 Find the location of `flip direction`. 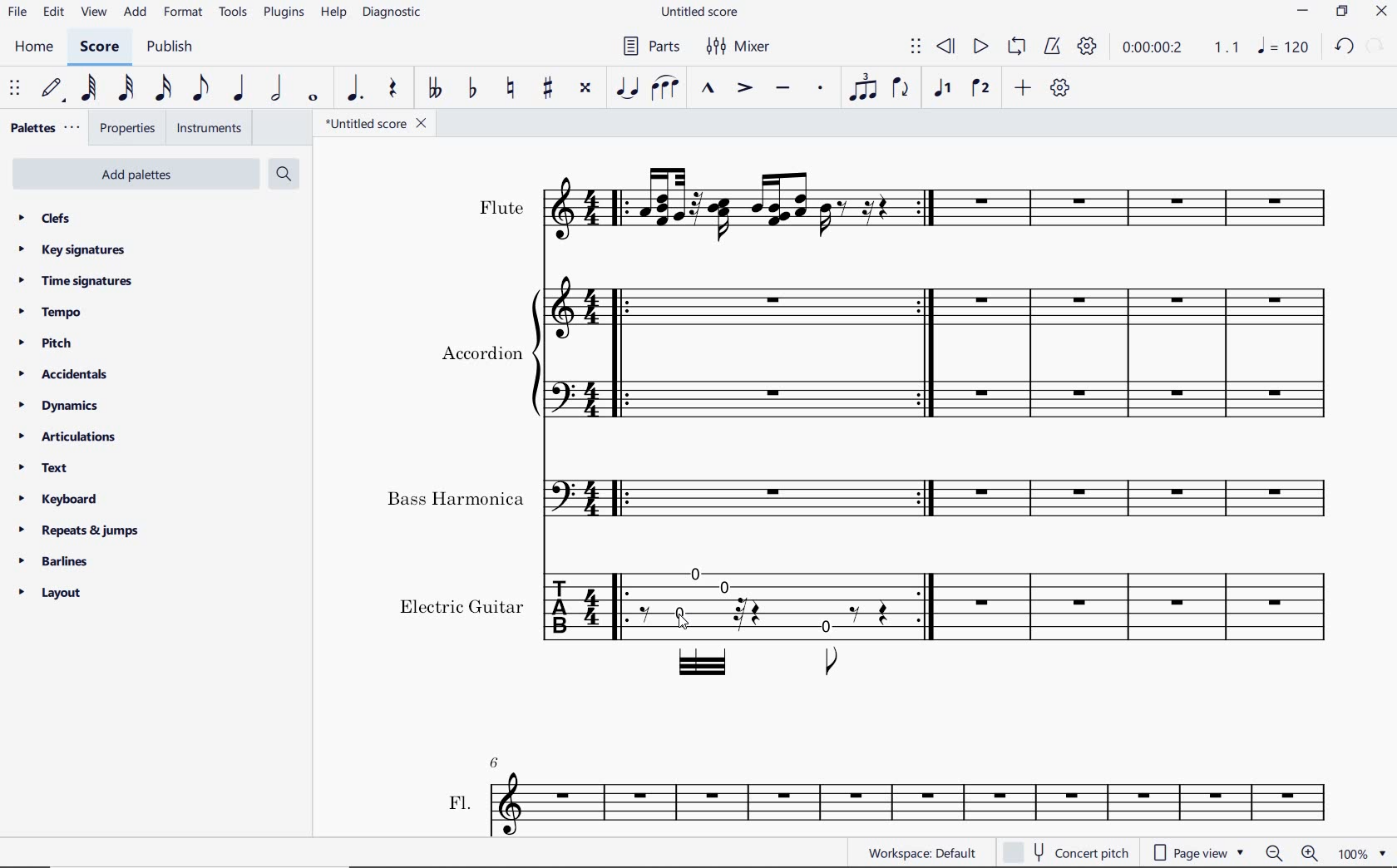

flip direction is located at coordinates (901, 88).